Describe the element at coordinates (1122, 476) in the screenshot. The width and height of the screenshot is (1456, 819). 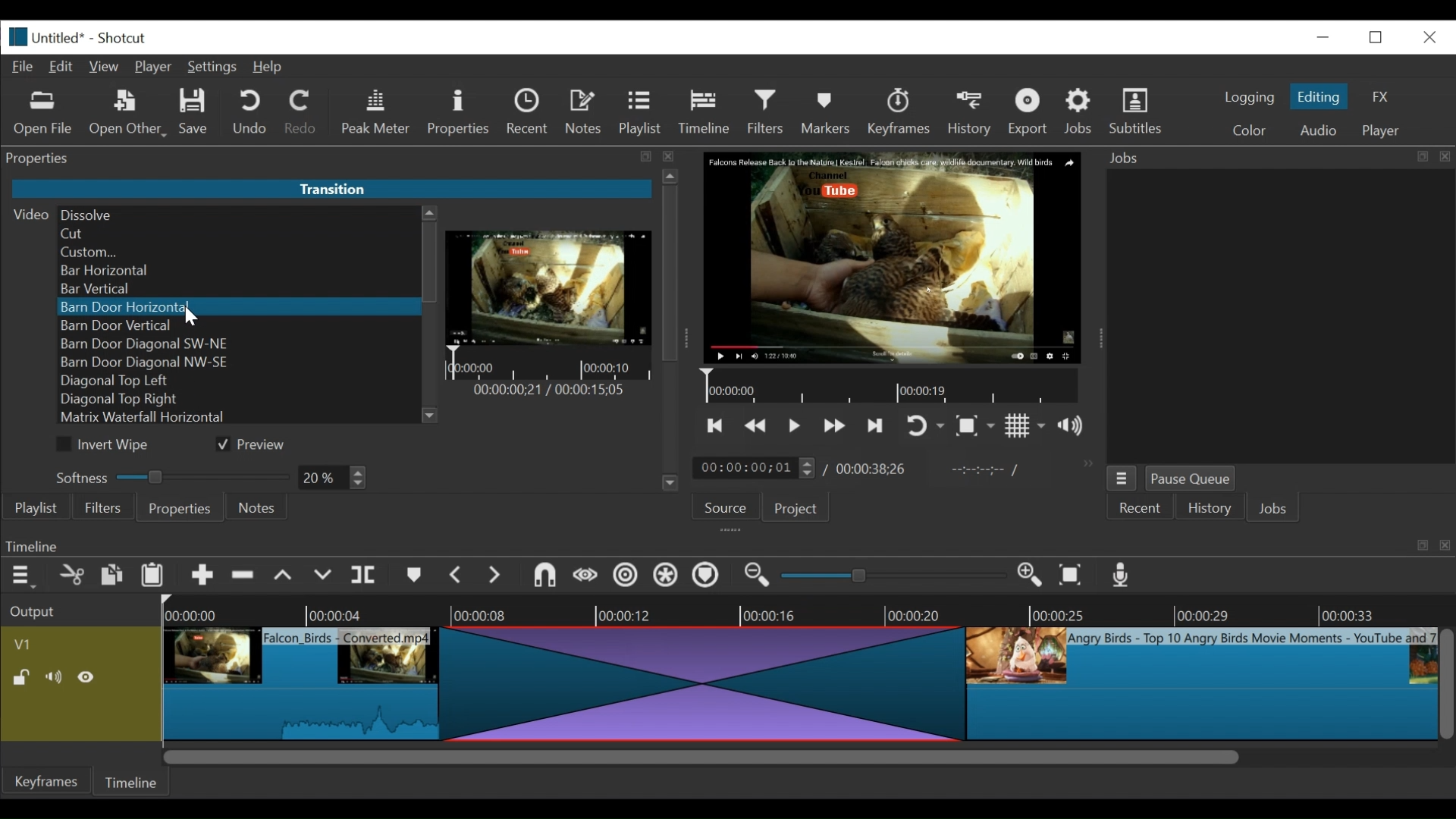
I see `jobs menu` at that location.